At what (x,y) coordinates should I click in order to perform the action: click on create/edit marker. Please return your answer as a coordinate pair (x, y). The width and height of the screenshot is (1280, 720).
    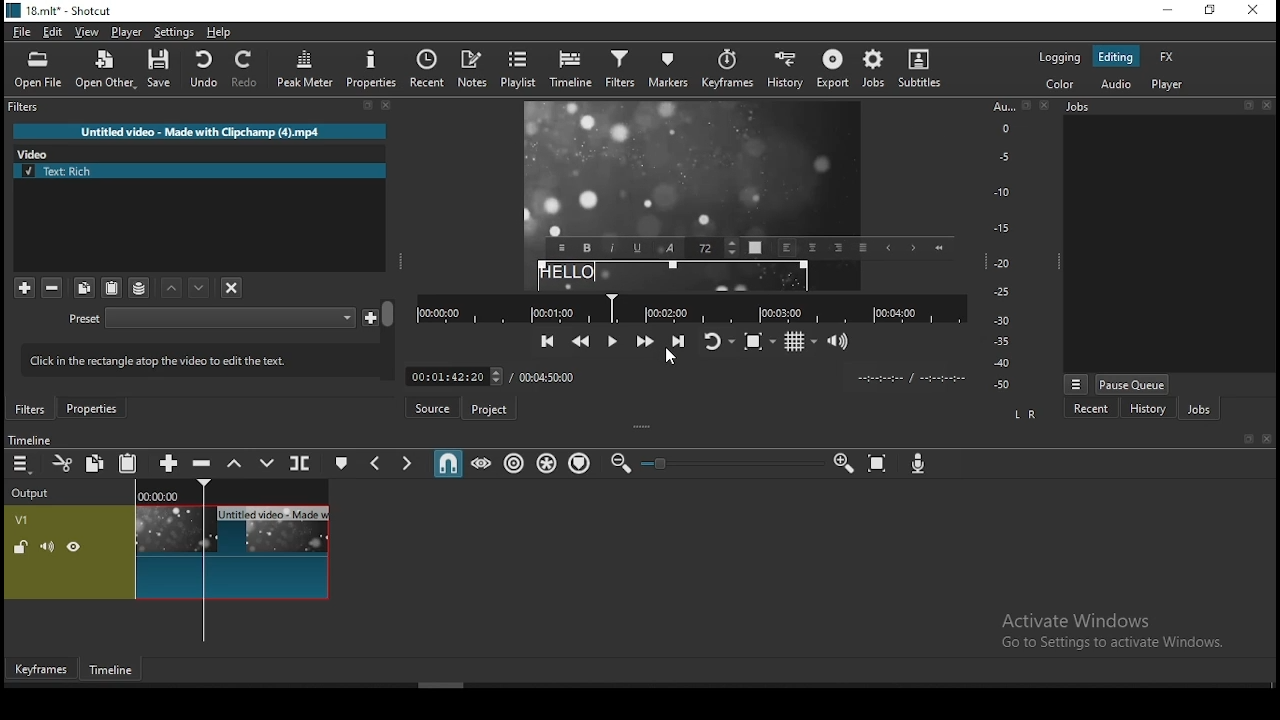
    Looking at the image, I should click on (339, 462).